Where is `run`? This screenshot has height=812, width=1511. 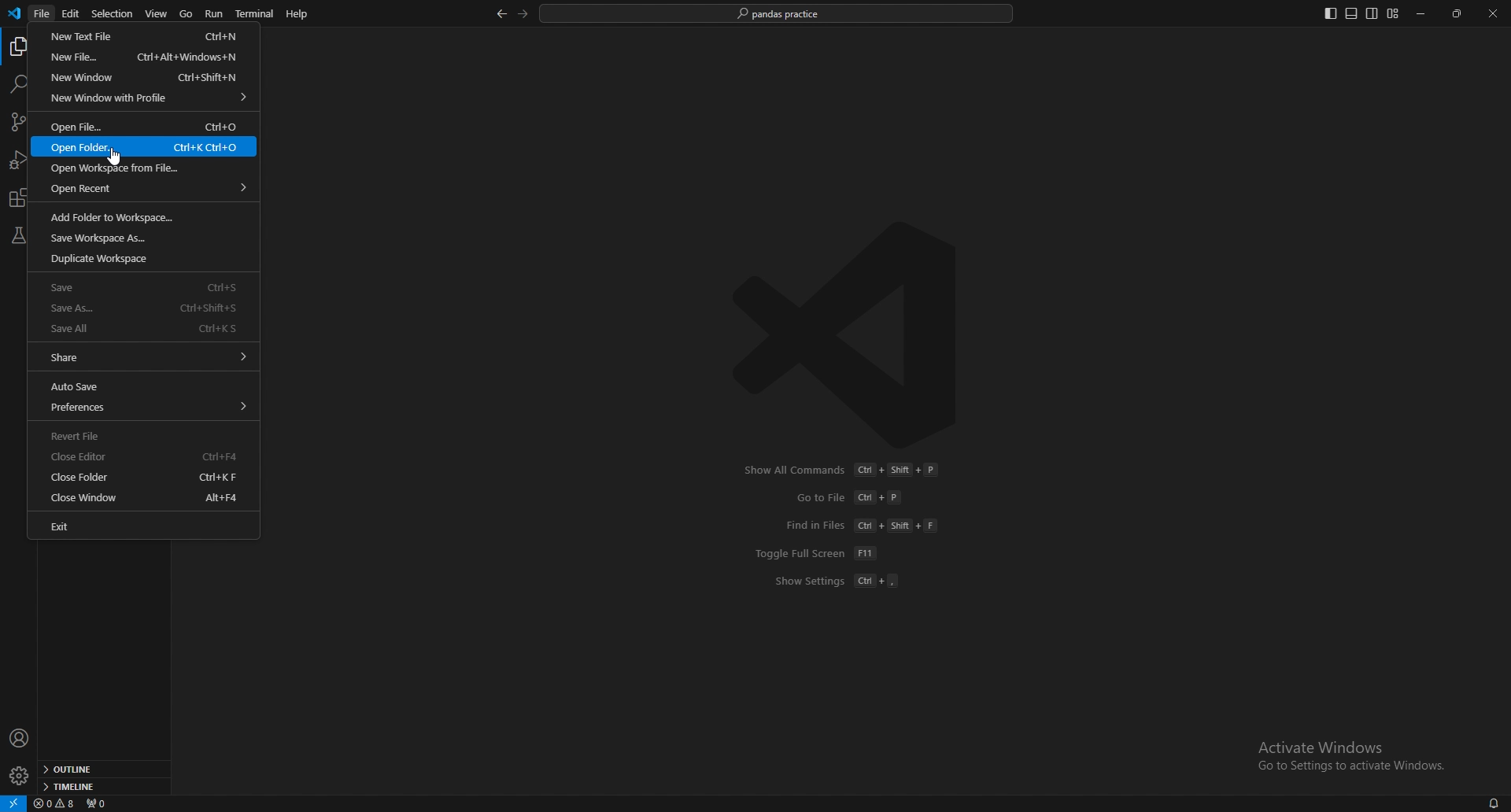
run is located at coordinates (216, 14).